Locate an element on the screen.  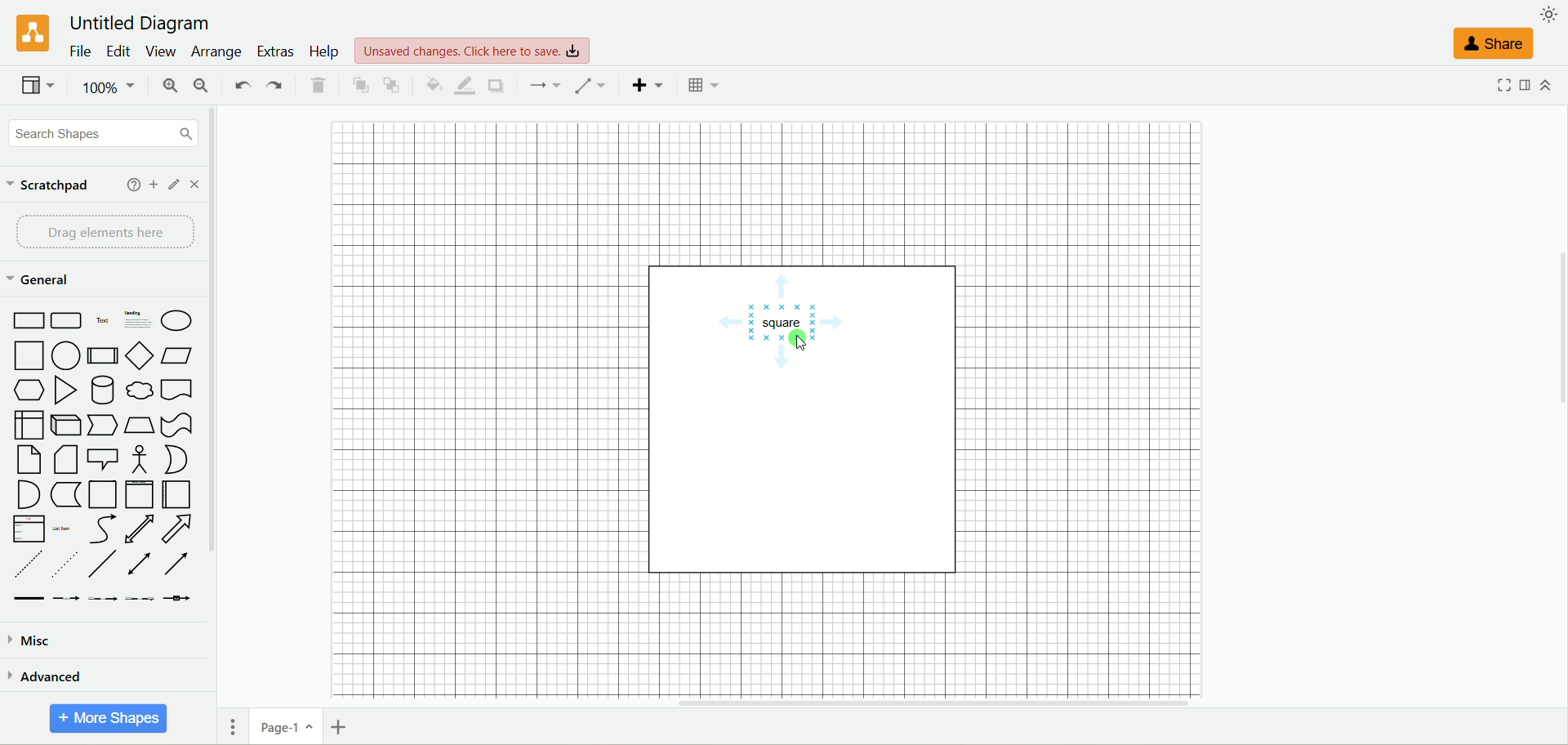
logo is located at coordinates (31, 34).